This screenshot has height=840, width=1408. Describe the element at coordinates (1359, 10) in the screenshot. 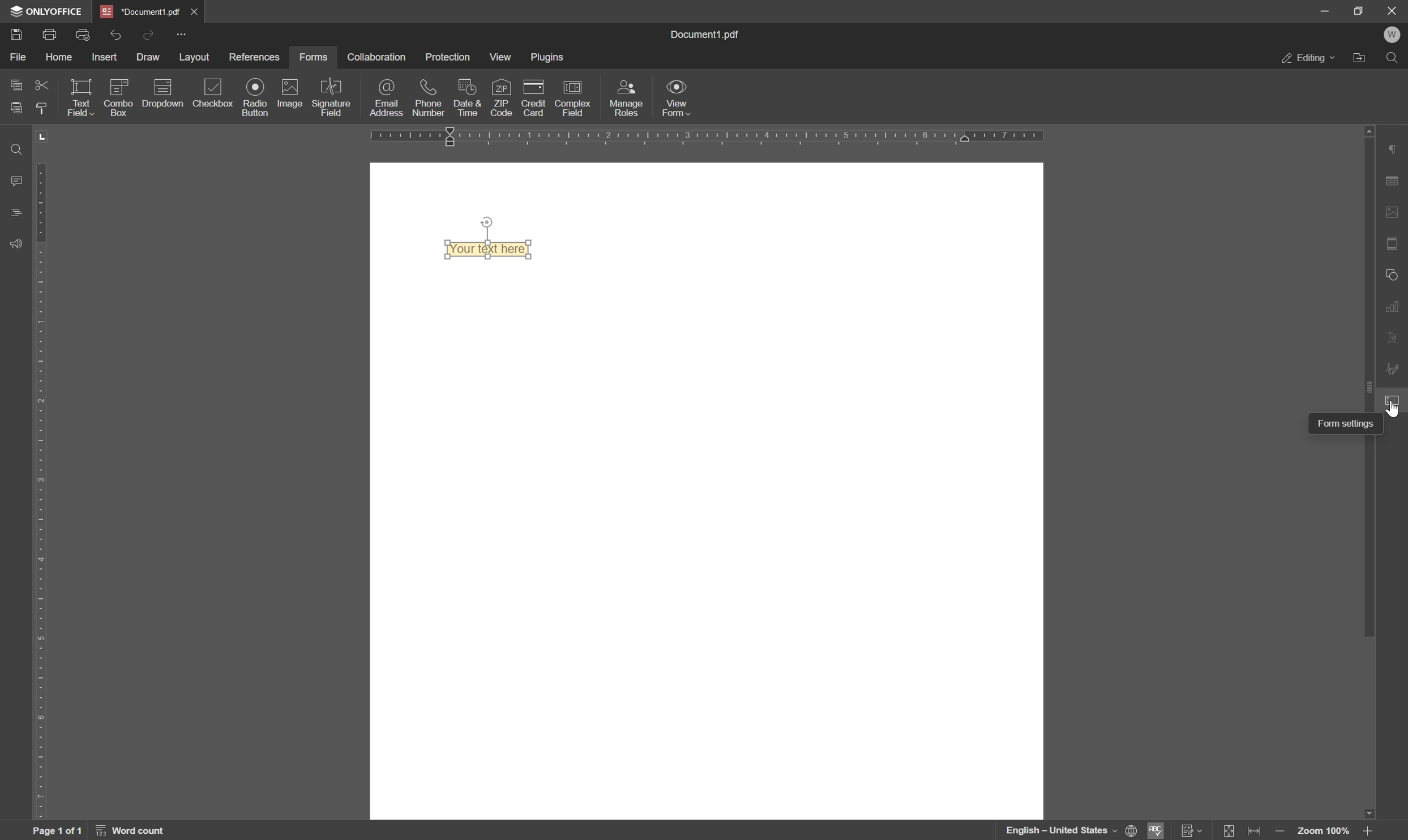

I see `restore down` at that location.